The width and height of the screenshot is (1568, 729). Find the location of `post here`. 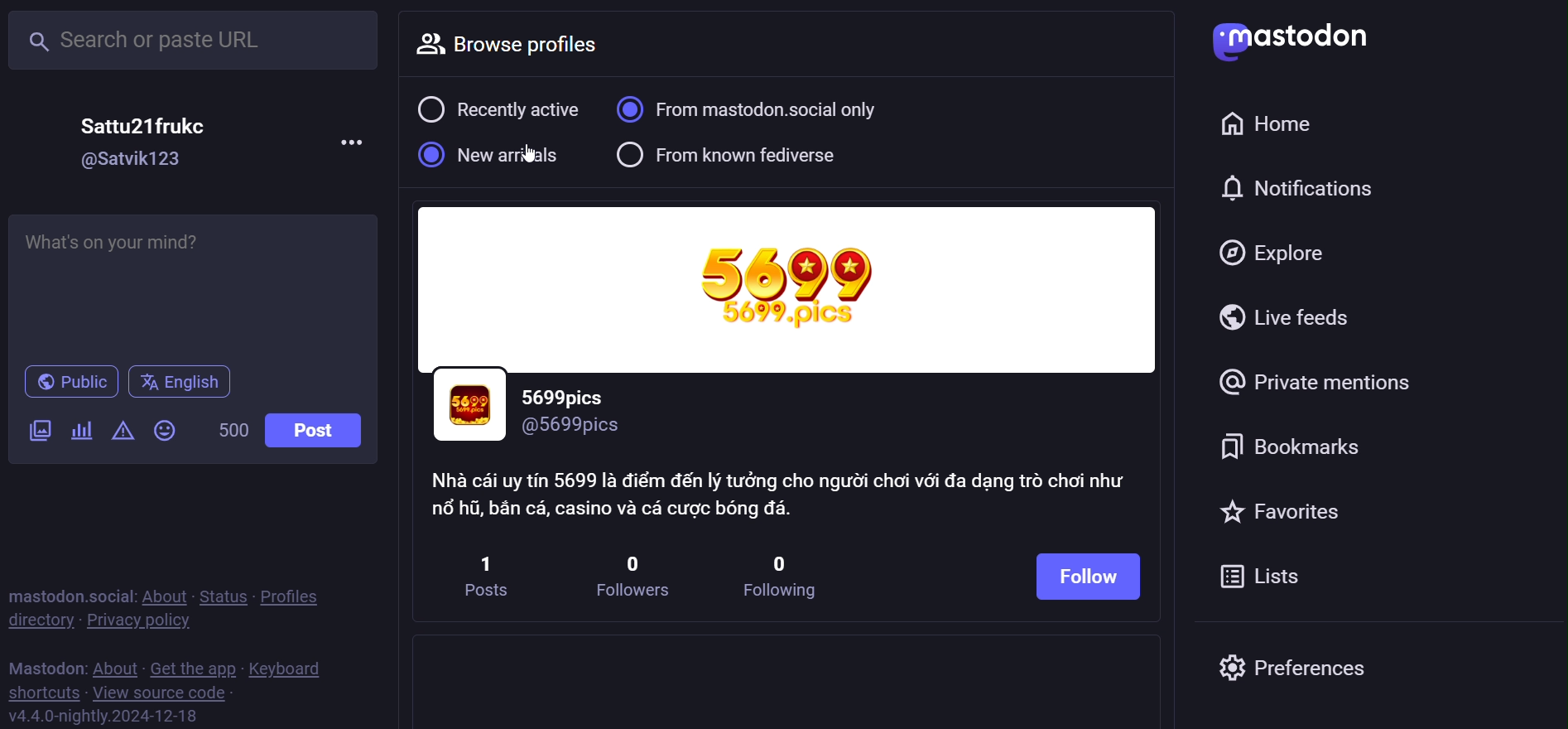

post here is located at coordinates (192, 282).